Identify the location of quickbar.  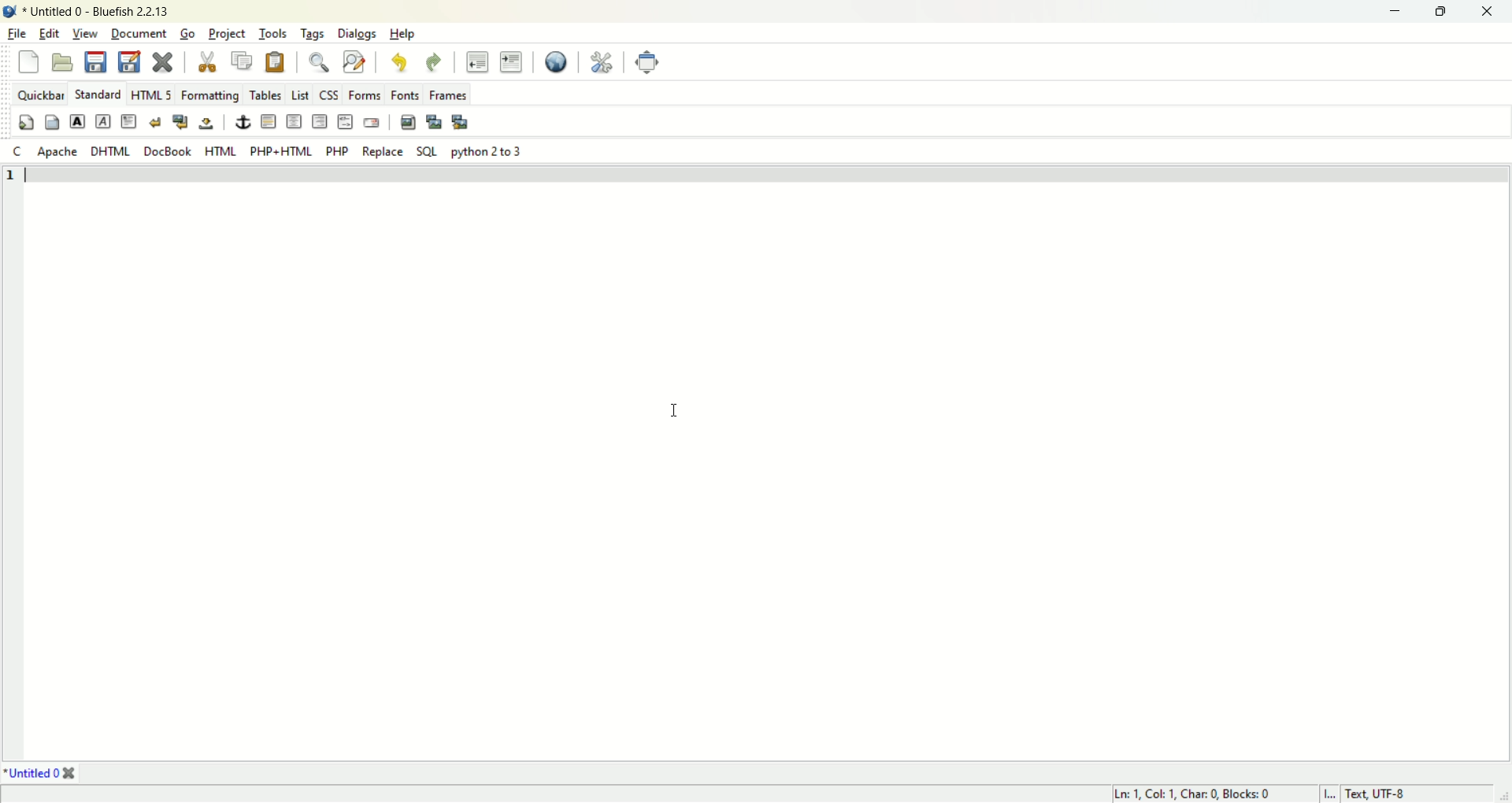
(39, 94).